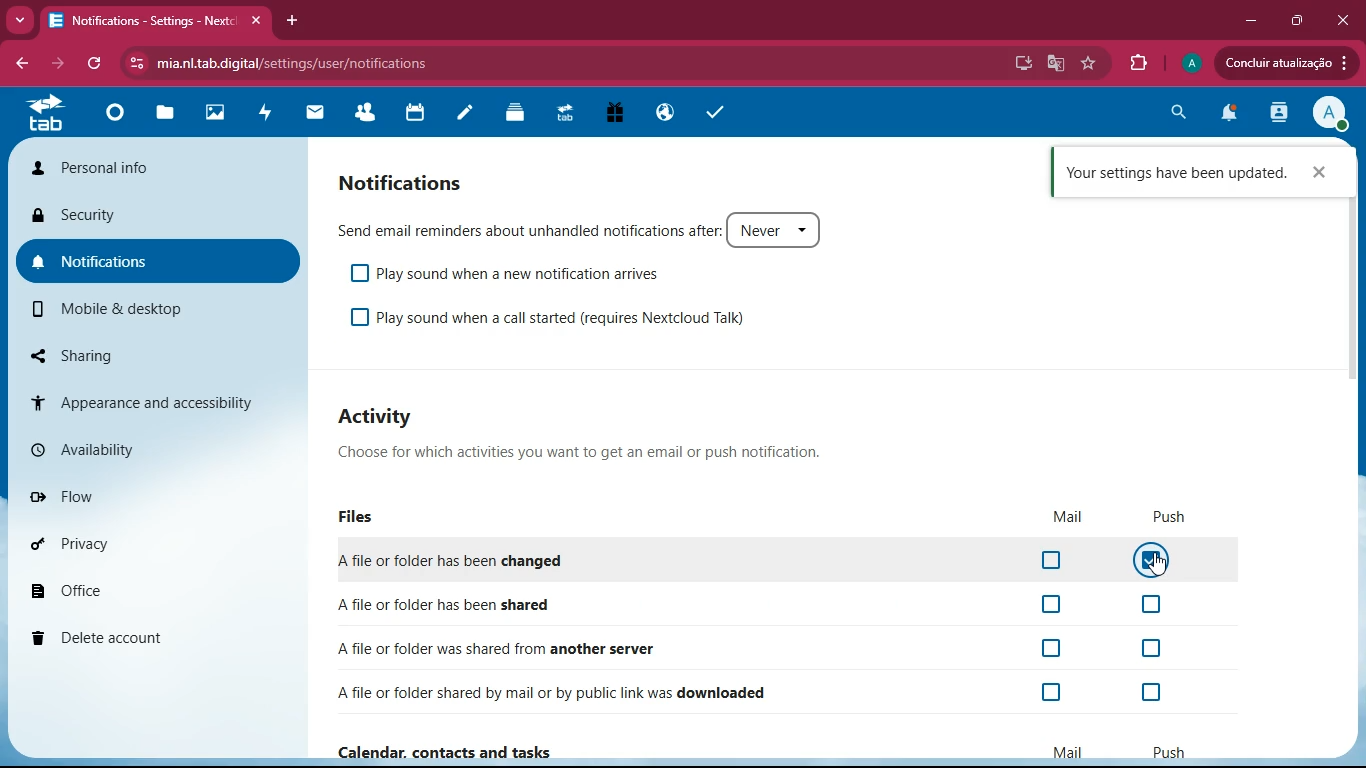  I want to click on privacy, so click(137, 540).